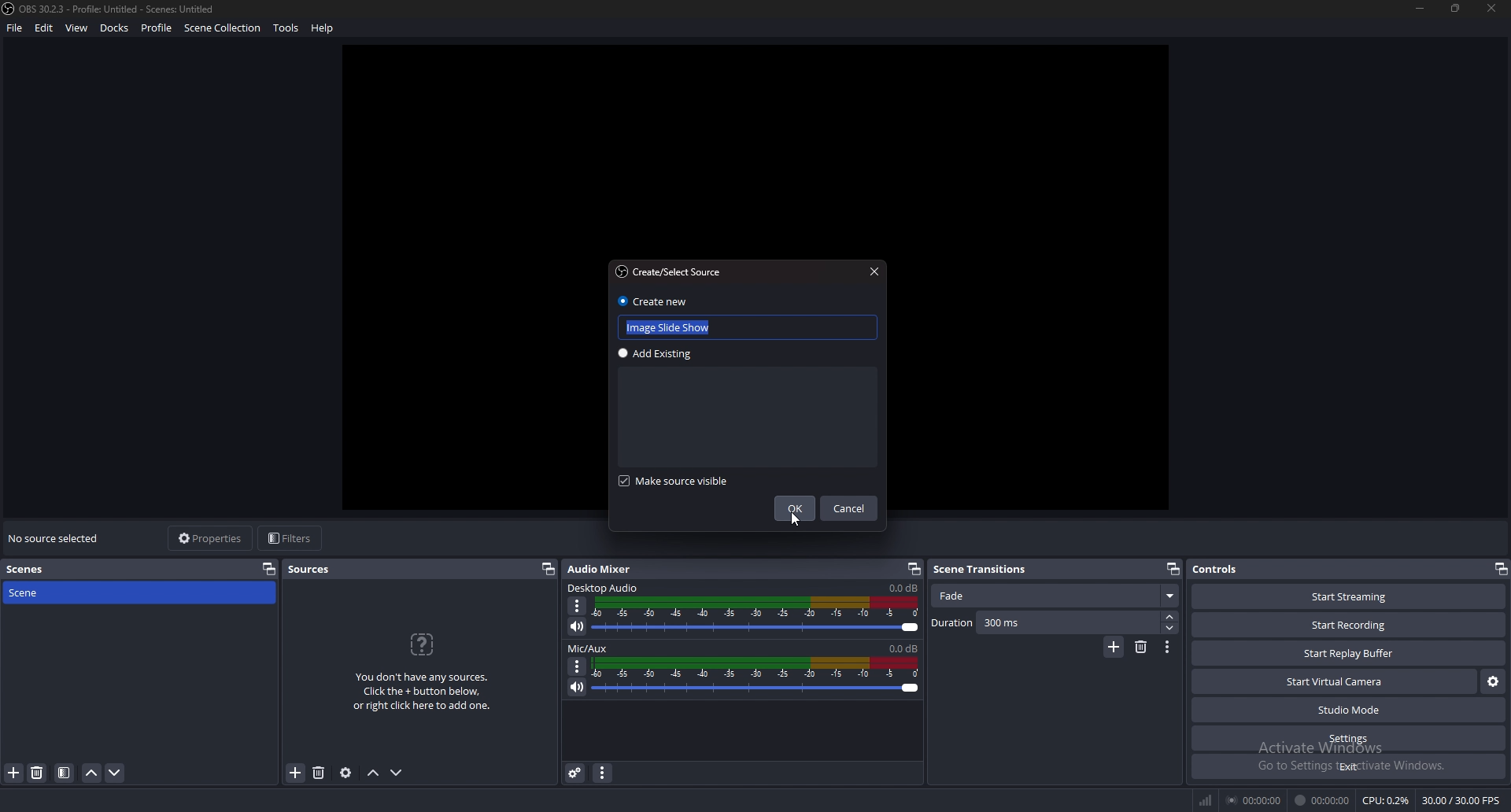  I want to click on all good, so click(764, 146).